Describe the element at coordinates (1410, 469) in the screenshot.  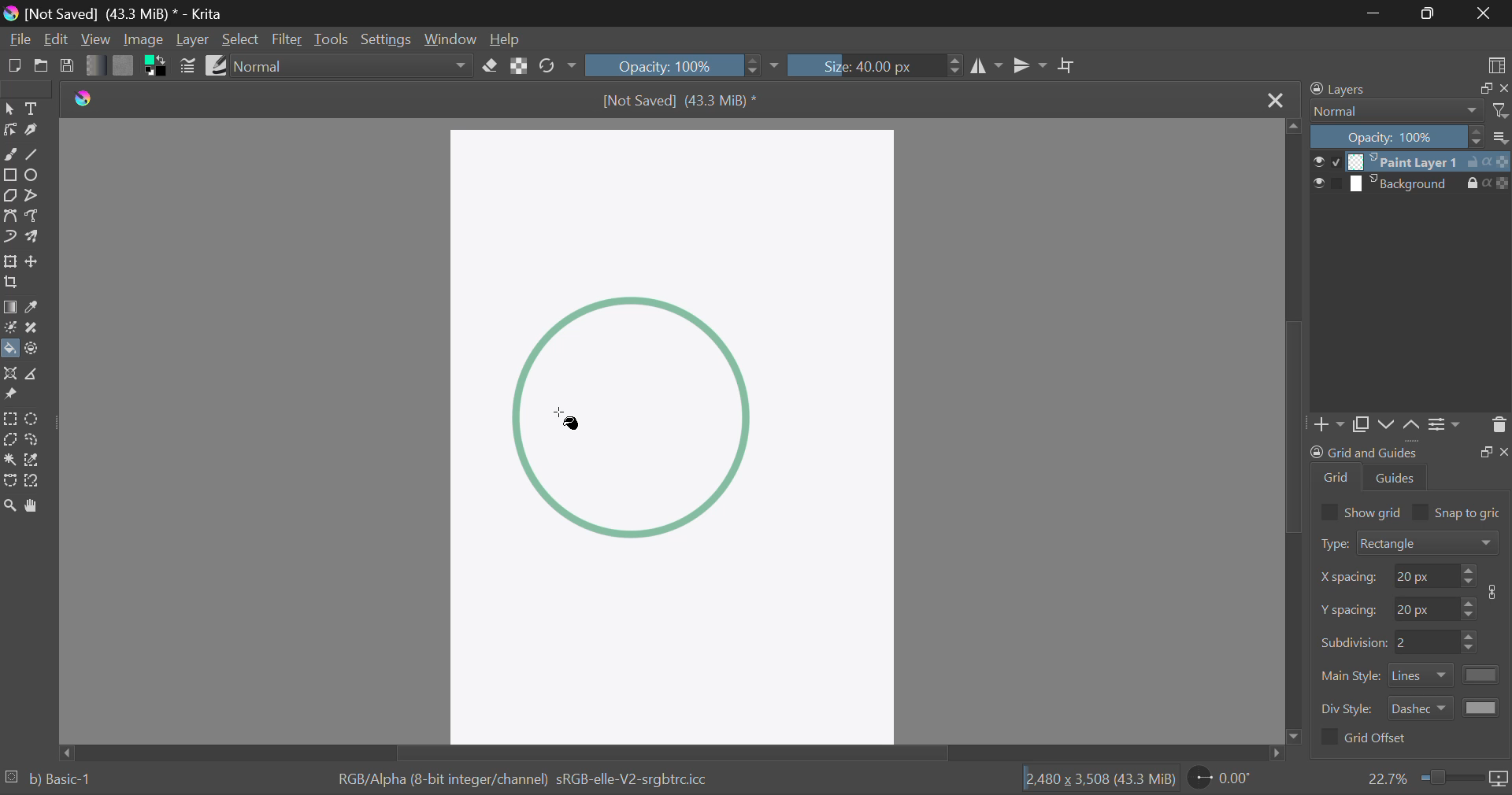
I see `Grid and Guides Docker Tab` at that location.